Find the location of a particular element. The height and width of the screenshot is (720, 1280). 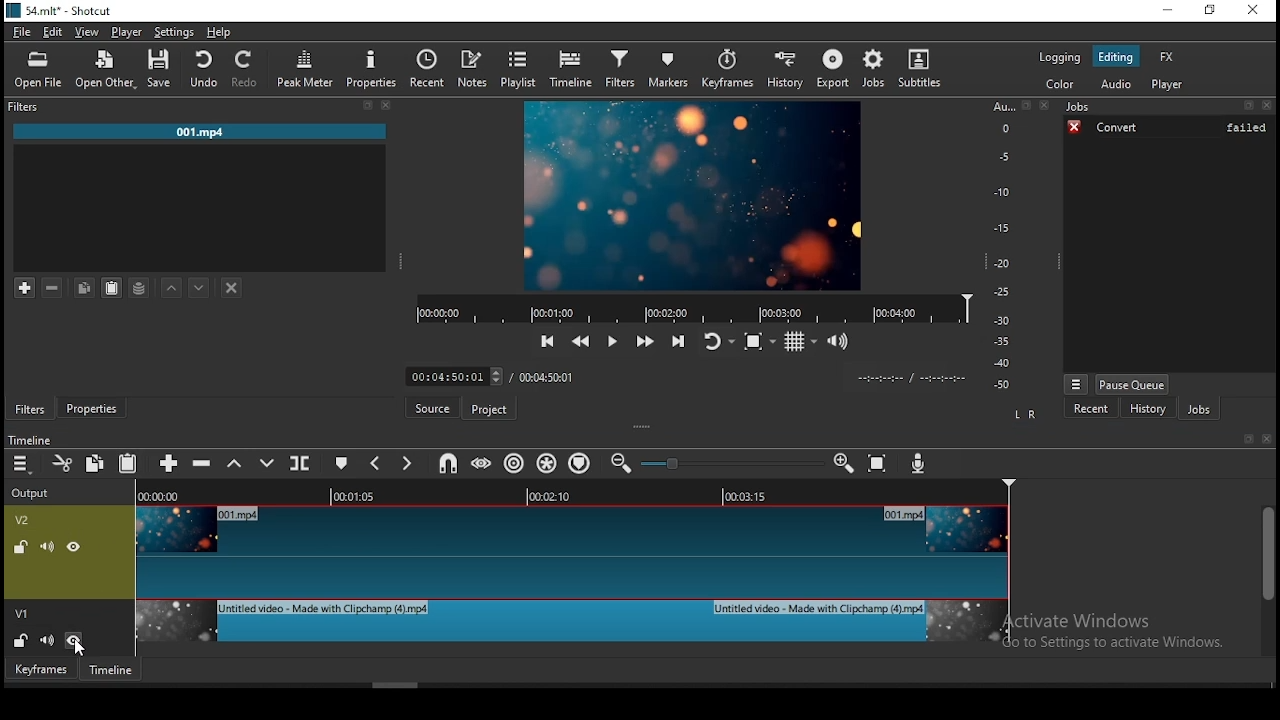

keyframe is located at coordinates (42, 672).